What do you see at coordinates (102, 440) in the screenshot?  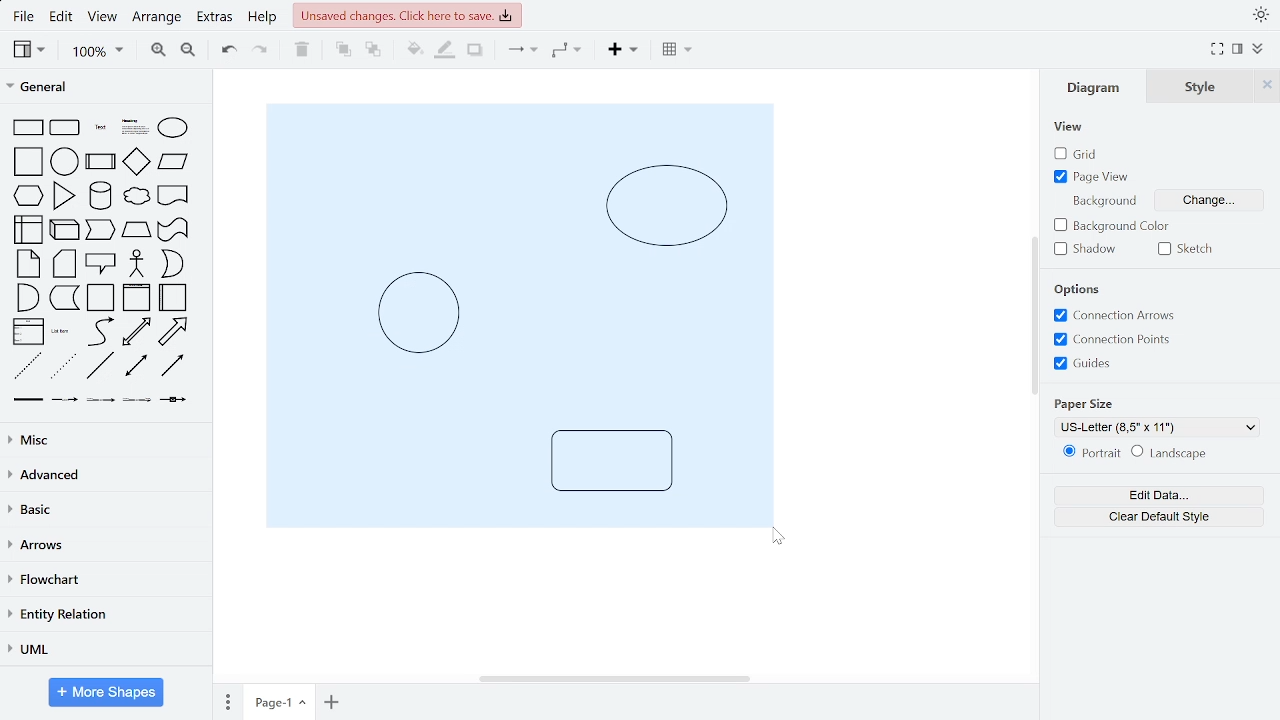 I see `misc` at bounding box center [102, 440].